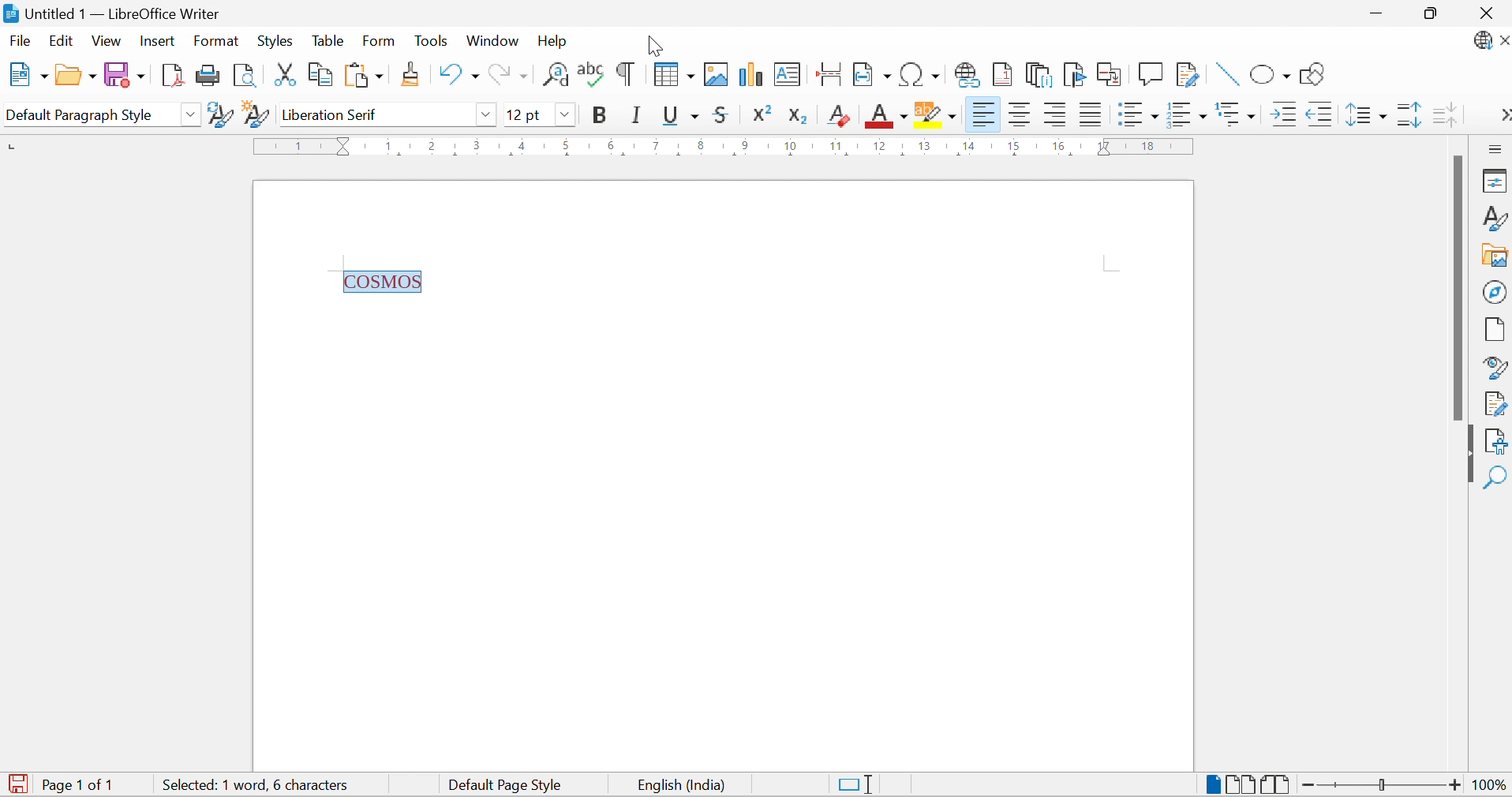 The width and height of the screenshot is (1512, 797). I want to click on Styles, so click(274, 40).